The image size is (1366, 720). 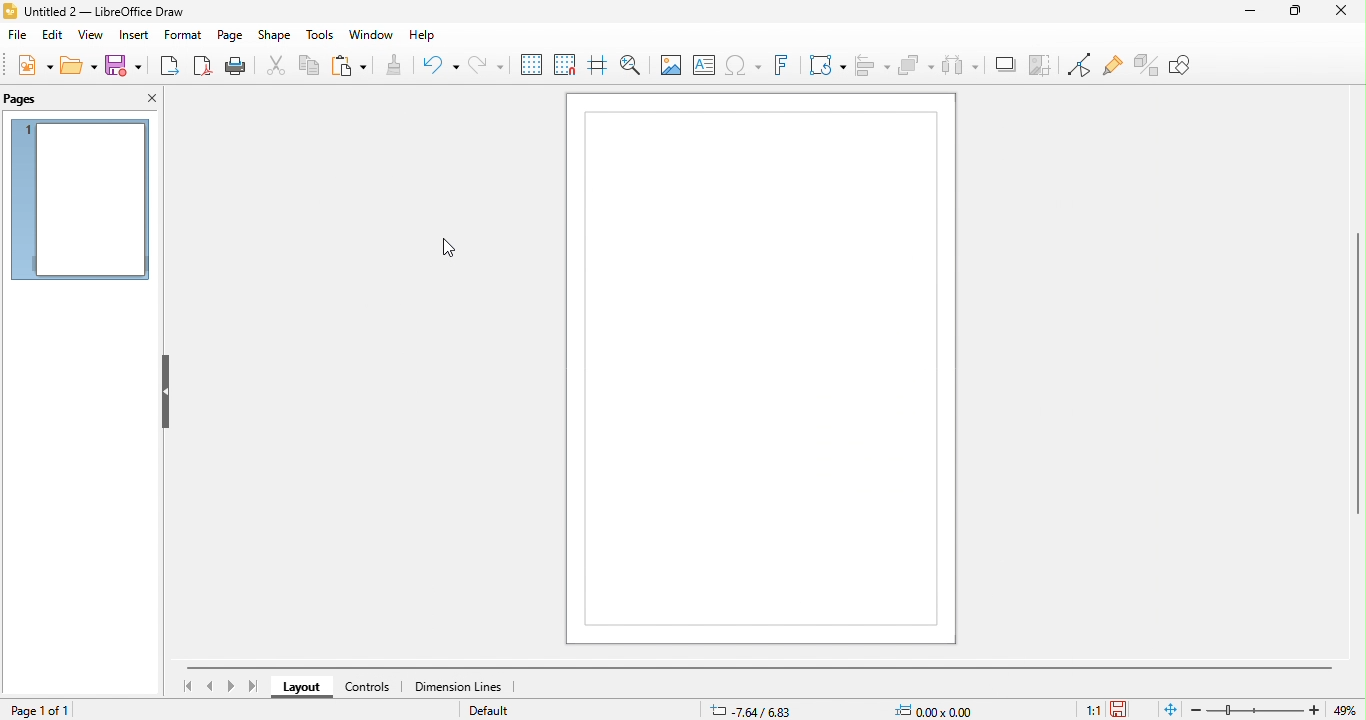 What do you see at coordinates (125, 65) in the screenshot?
I see `save` at bounding box center [125, 65].